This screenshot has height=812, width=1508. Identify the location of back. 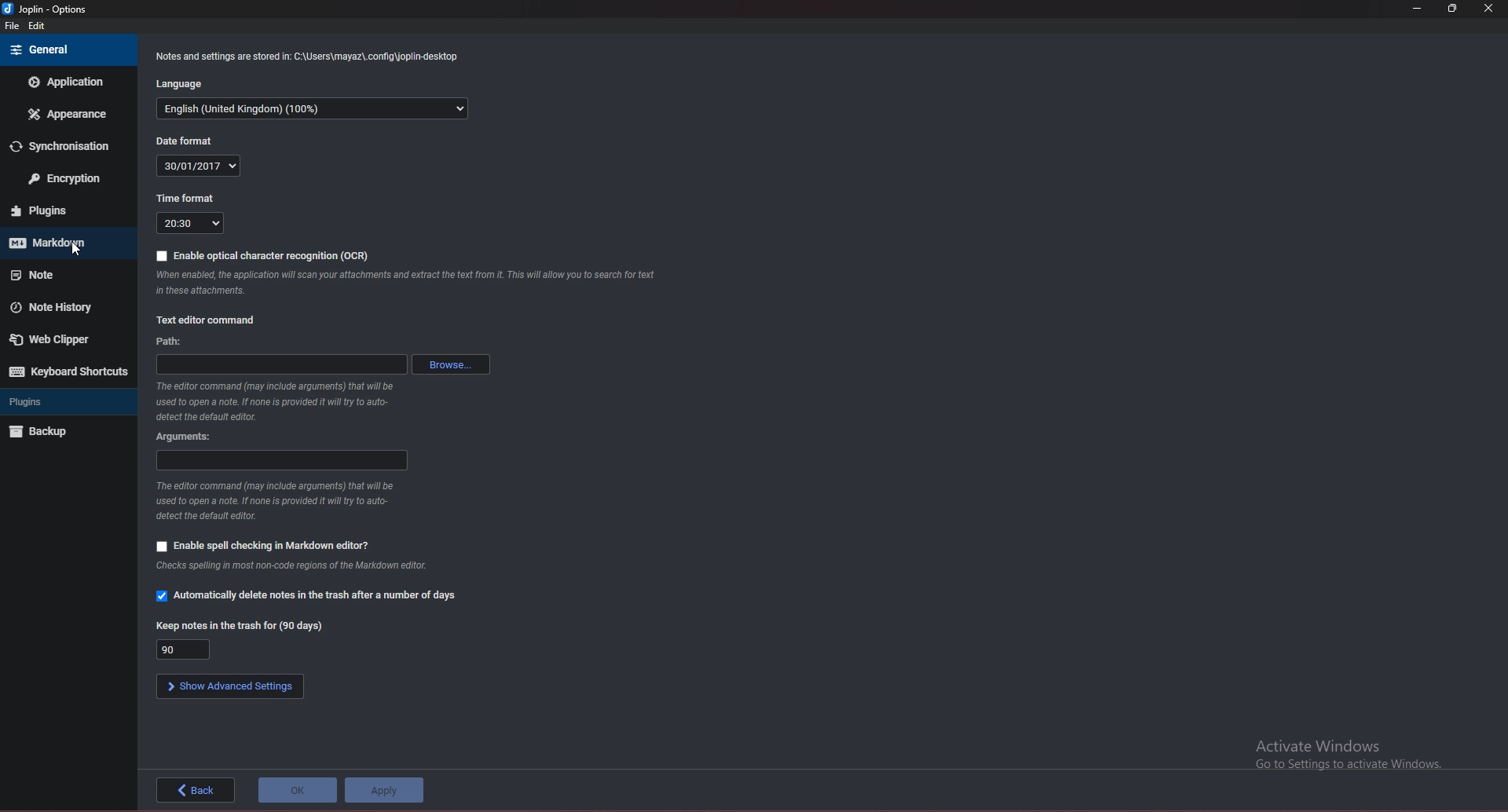
(196, 789).